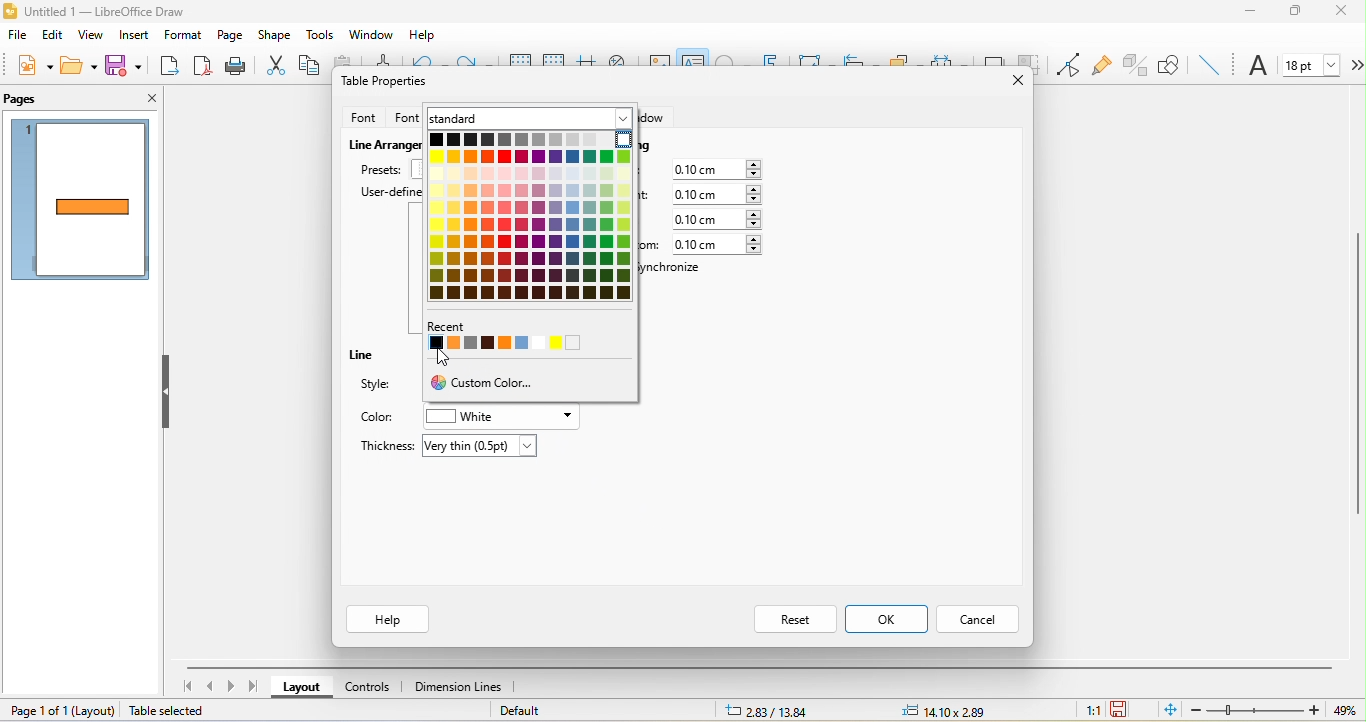  What do you see at coordinates (51, 34) in the screenshot?
I see `edit` at bounding box center [51, 34].